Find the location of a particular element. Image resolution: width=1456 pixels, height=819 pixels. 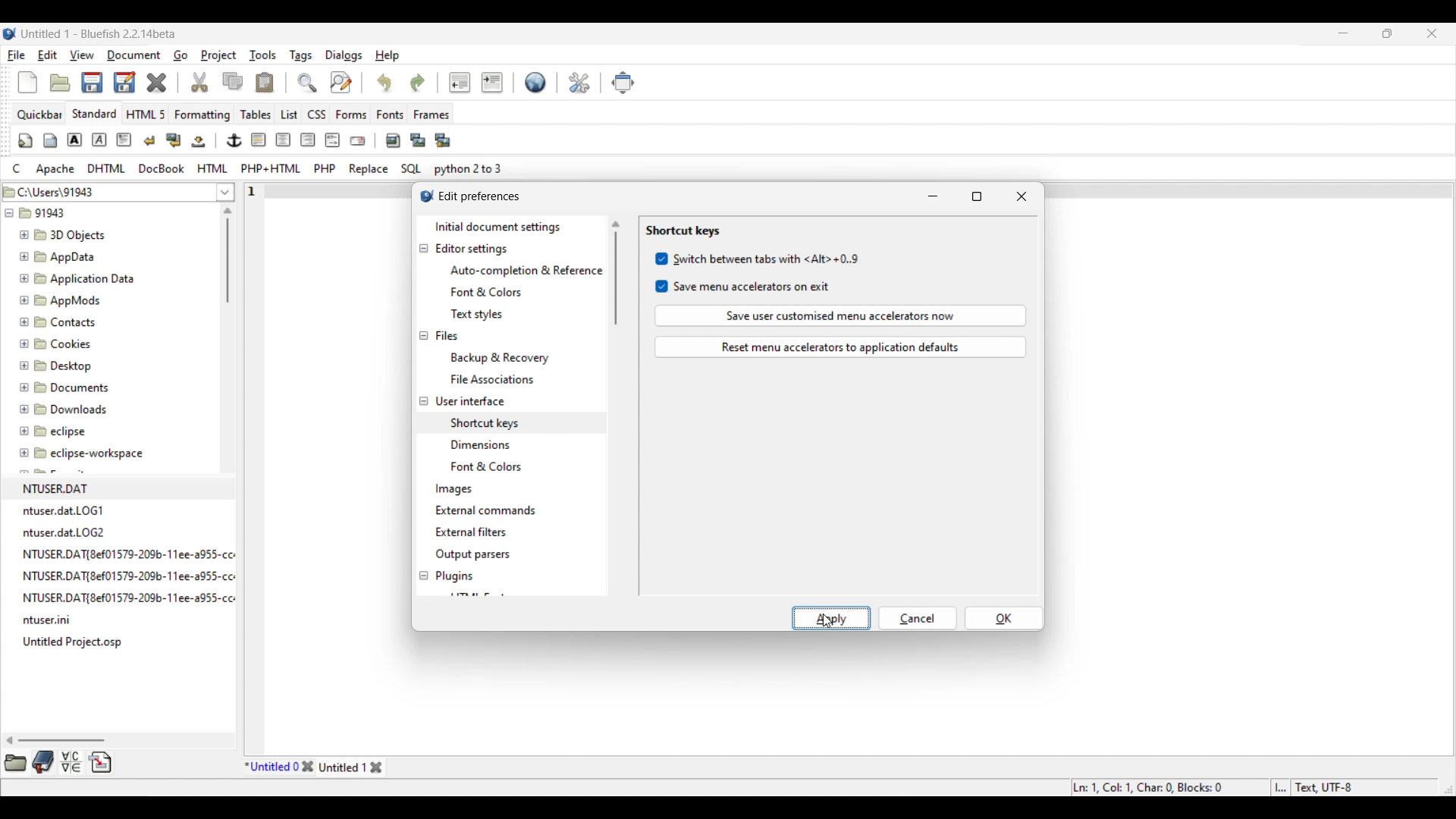

Save is located at coordinates (108, 82).